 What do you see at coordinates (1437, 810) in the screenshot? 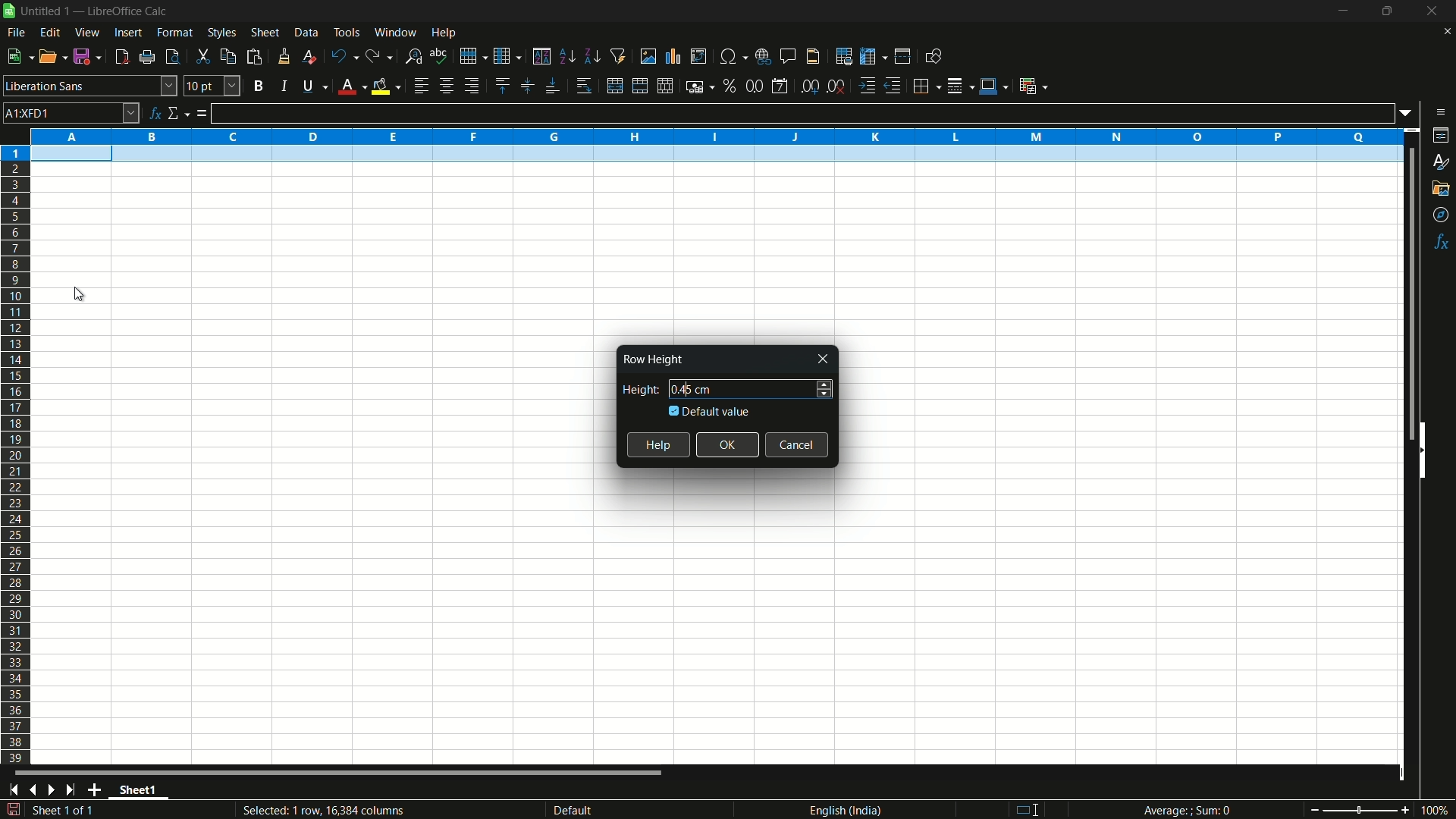
I see `current zoom 100%` at bounding box center [1437, 810].